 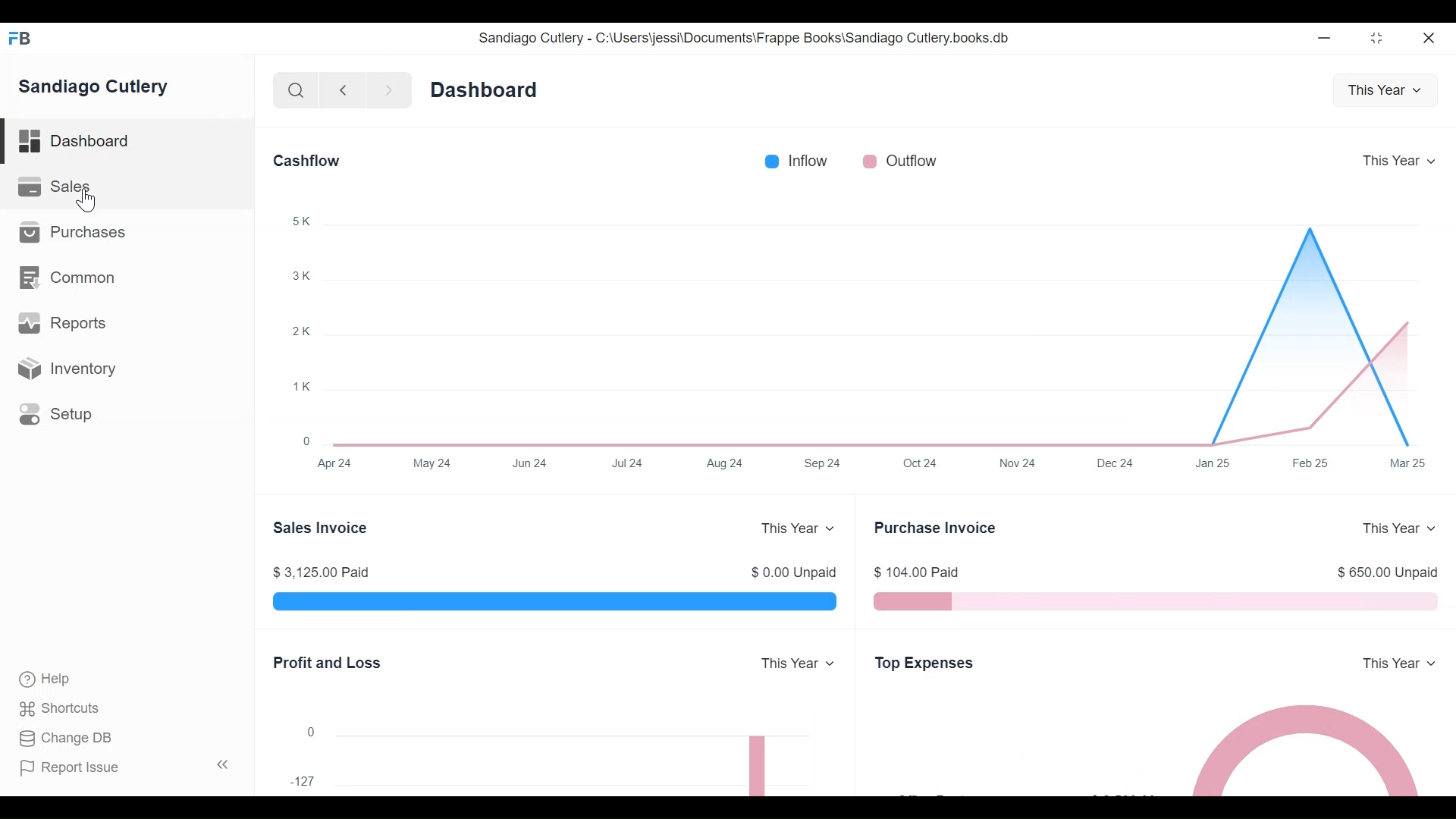 I want to click on Inflow, so click(x=797, y=162).